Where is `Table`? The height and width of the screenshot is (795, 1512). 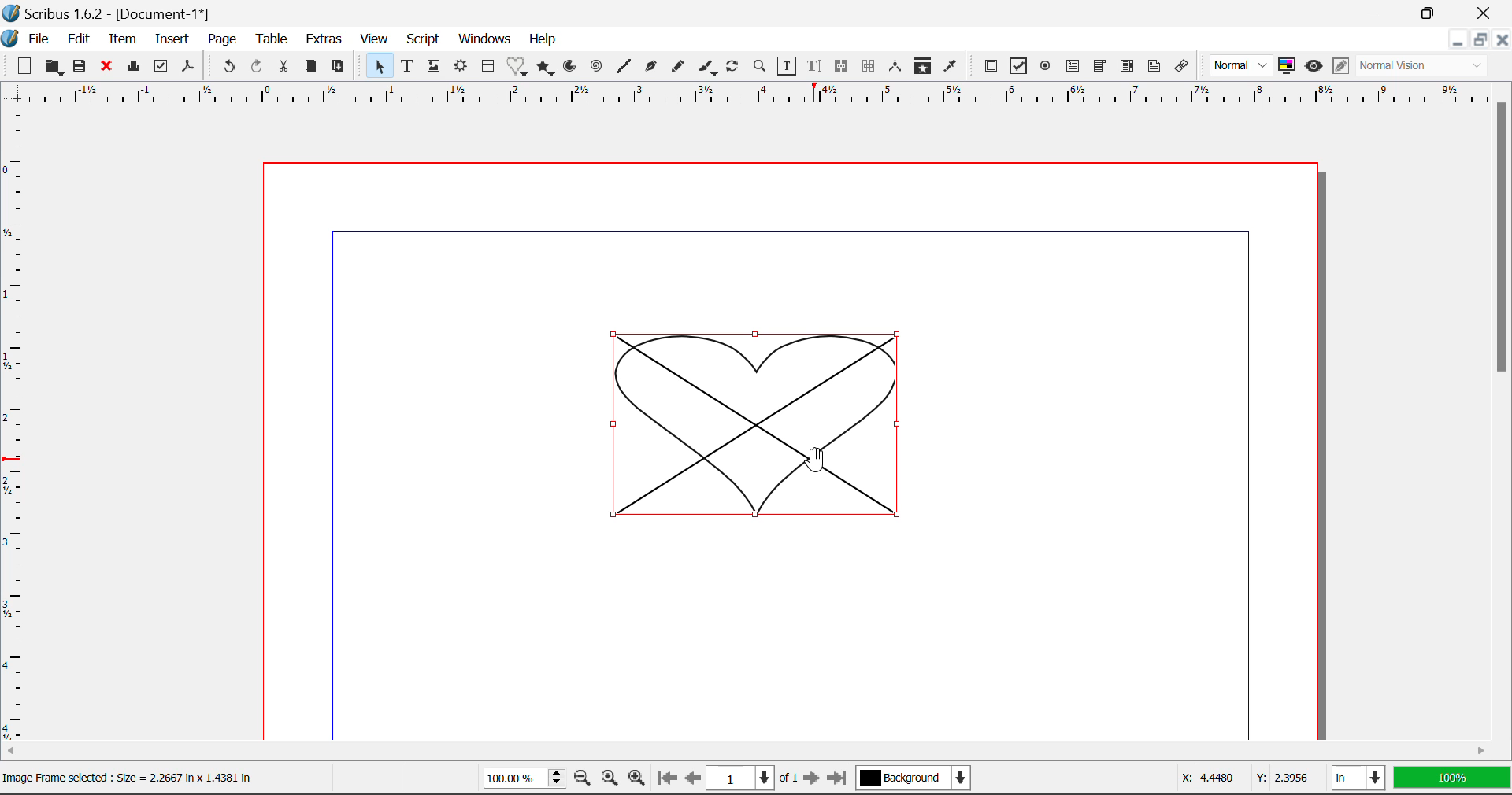
Table is located at coordinates (274, 39).